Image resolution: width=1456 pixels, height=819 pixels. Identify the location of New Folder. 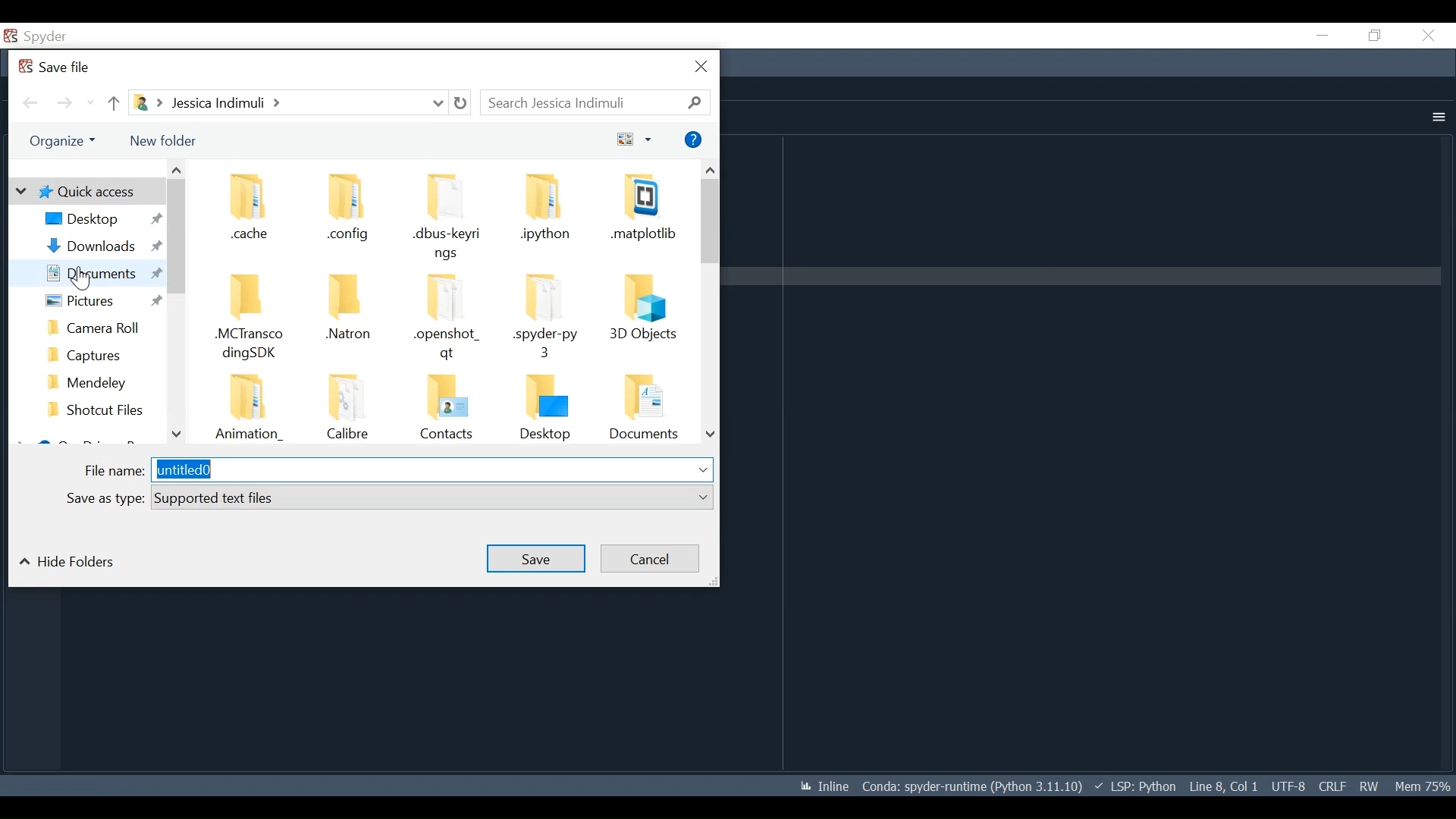
(167, 140).